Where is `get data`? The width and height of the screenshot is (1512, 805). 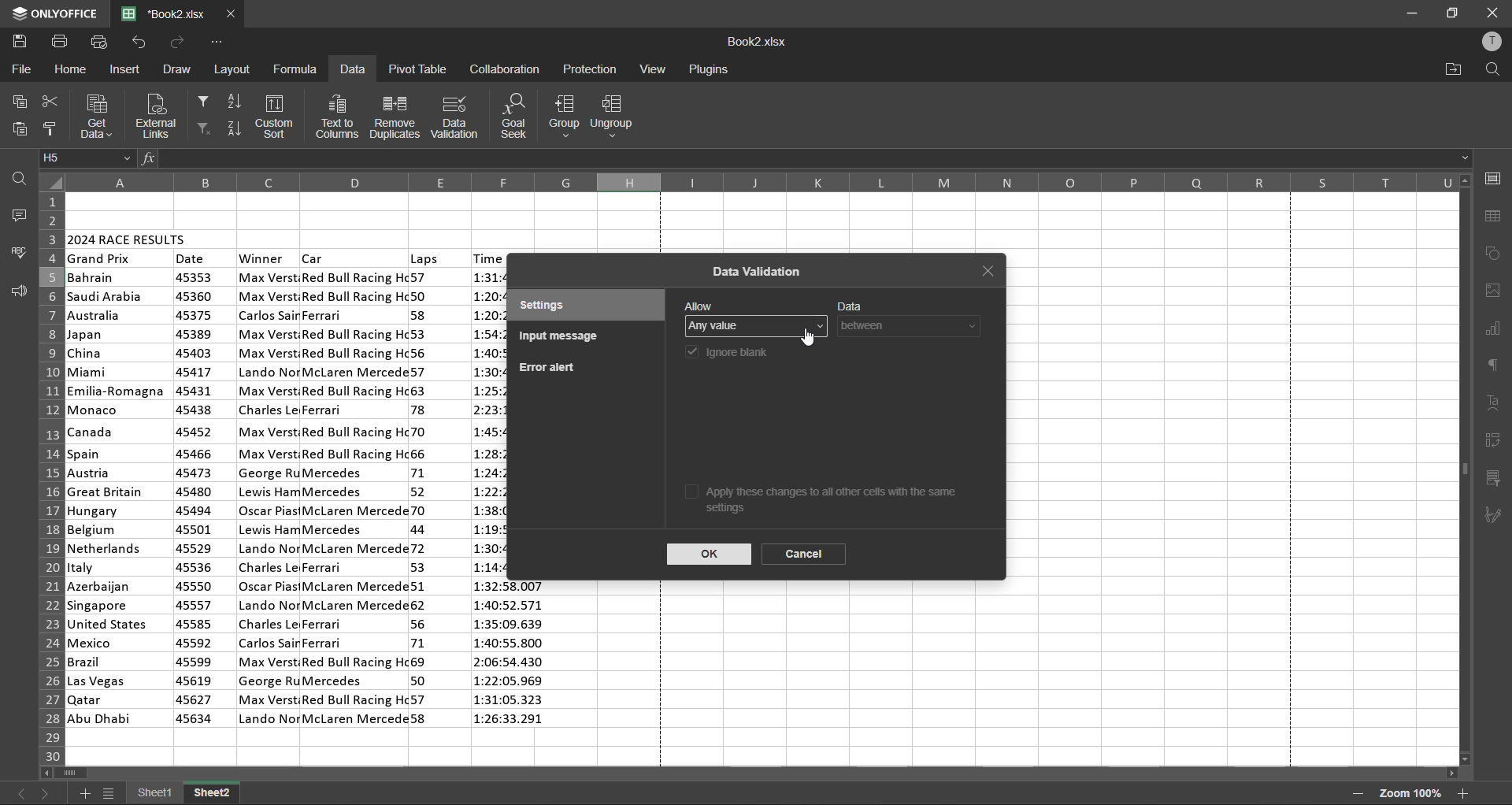 get data is located at coordinates (95, 116).